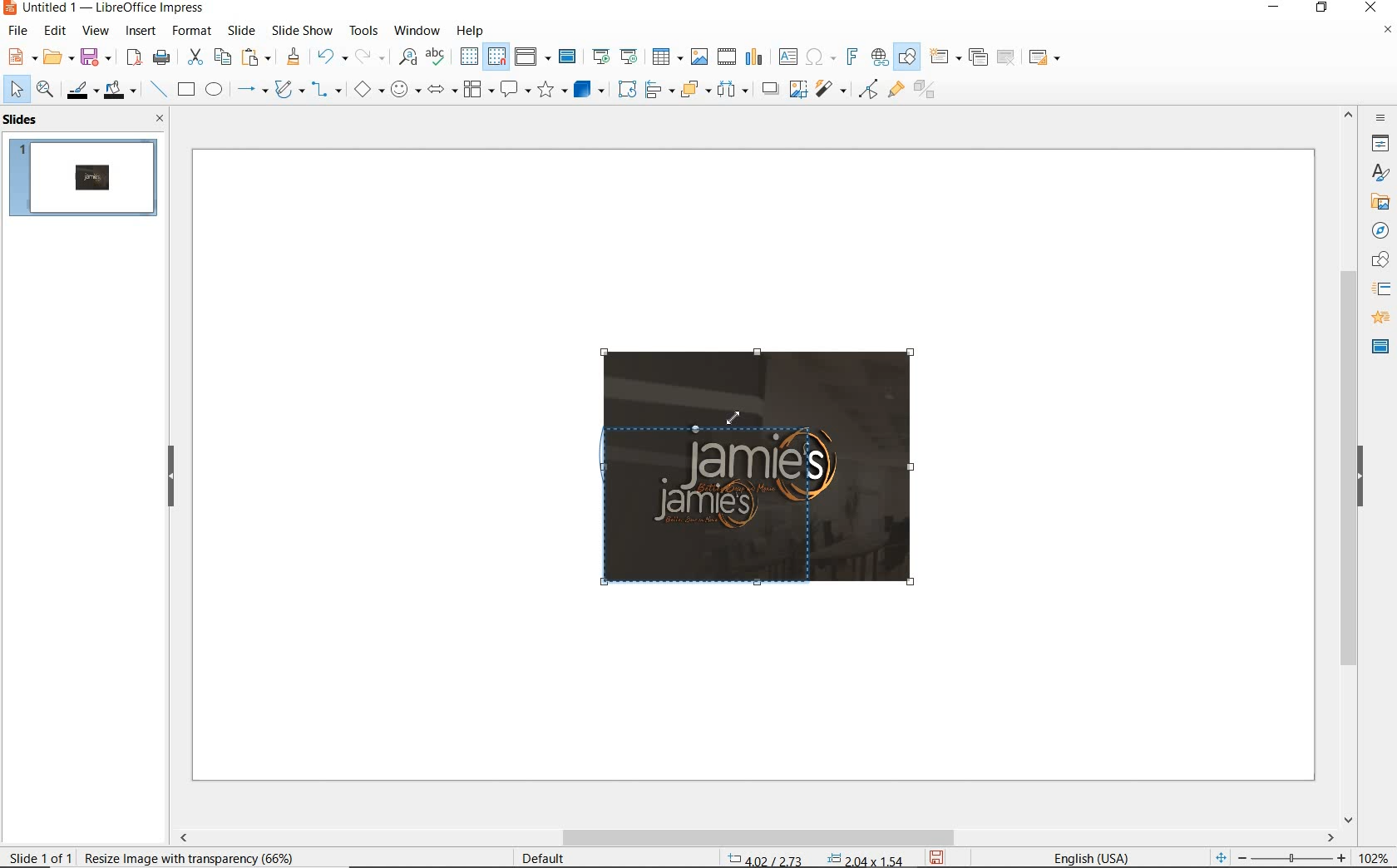 The height and width of the screenshot is (868, 1397). What do you see at coordinates (155, 118) in the screenshot?
I see `close` at bounding box center [155, 118].